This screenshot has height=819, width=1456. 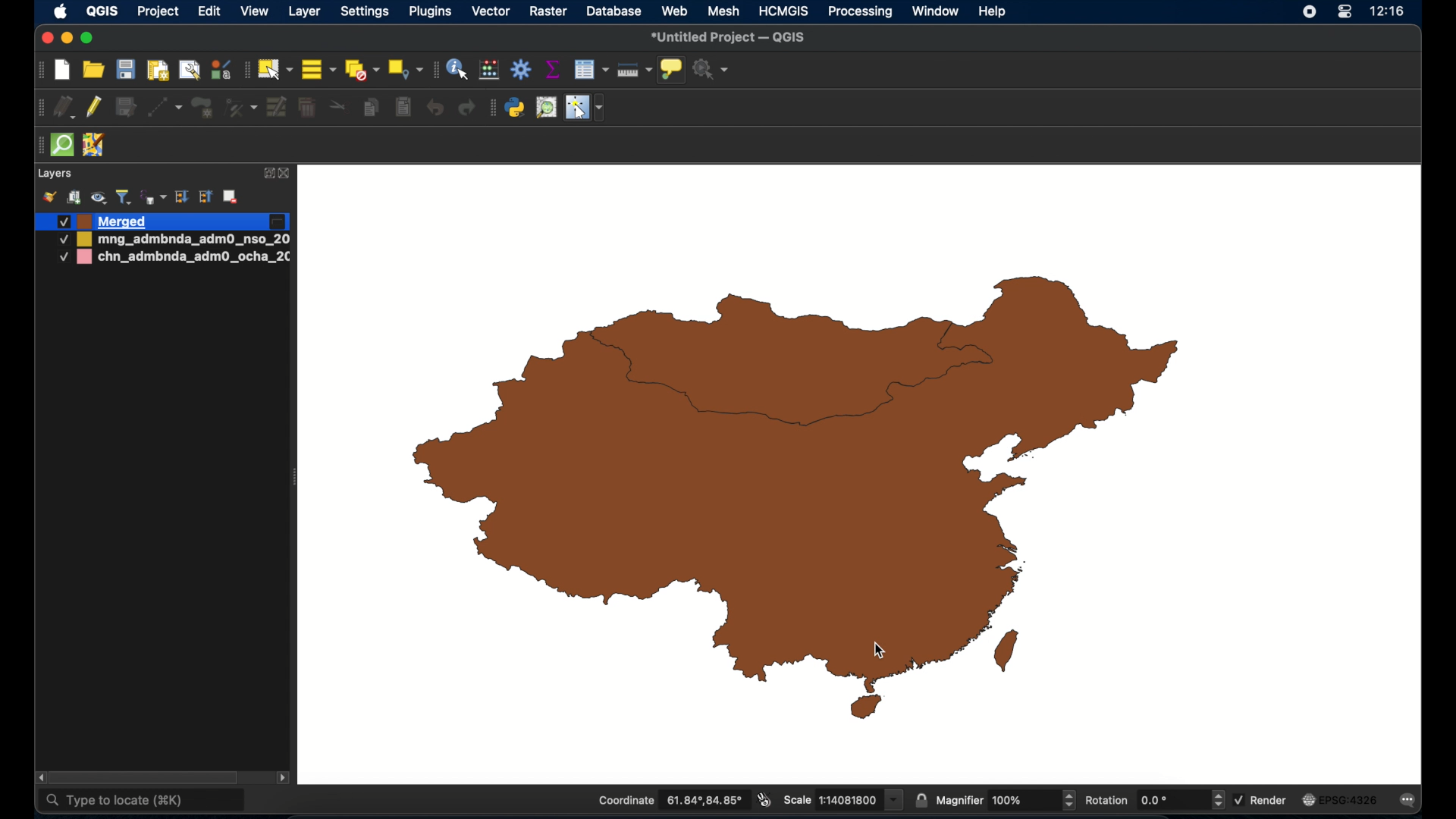 What do you see at coordinates (371, 109) in the screenshot?
I see `copy features` at bounding box center [371, 109].